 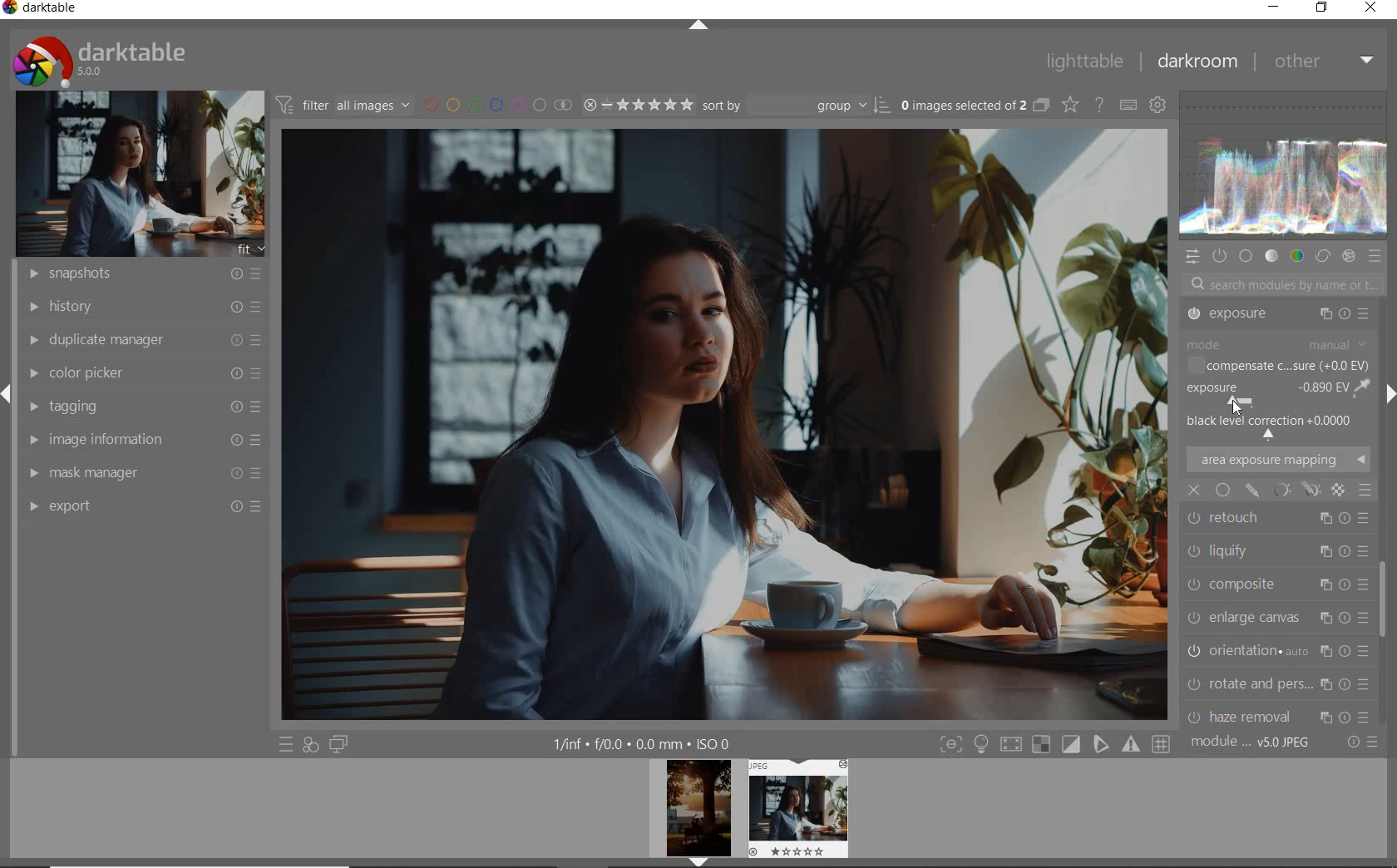 I want to click on RESET OR PRESET & PREFERANCE, so click(x=1360, y=745).